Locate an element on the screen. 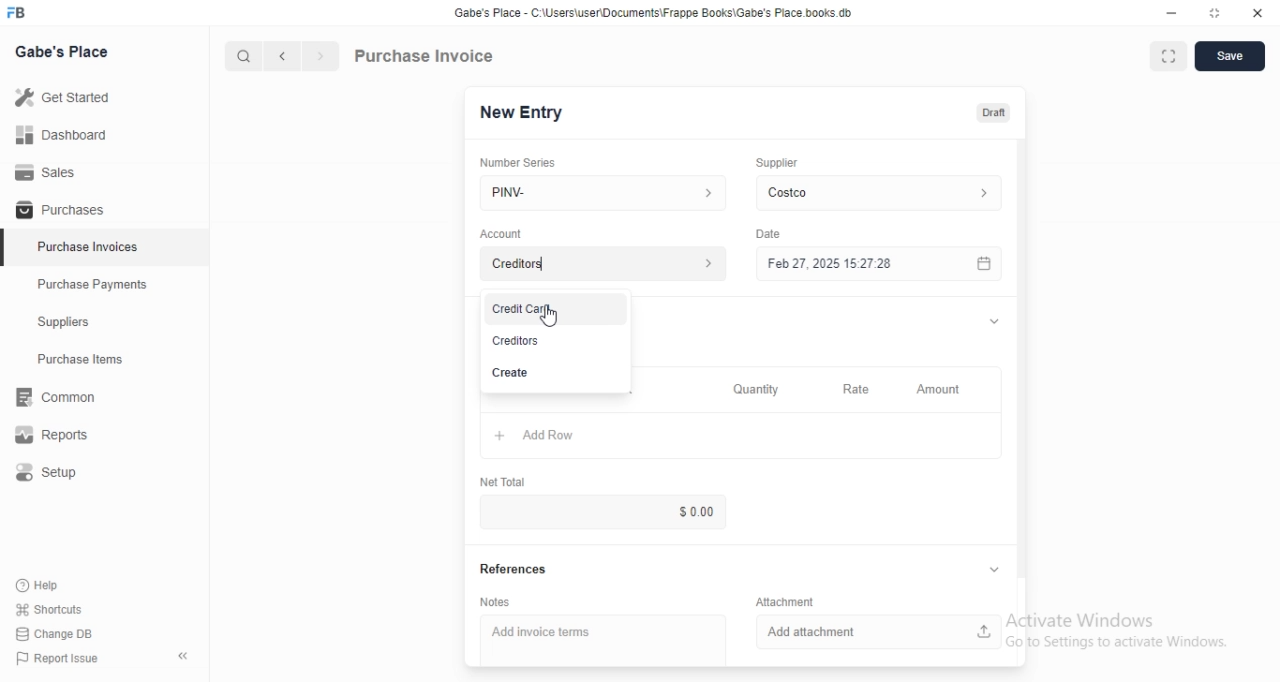  Previous button is located at coordinates (283, 56).